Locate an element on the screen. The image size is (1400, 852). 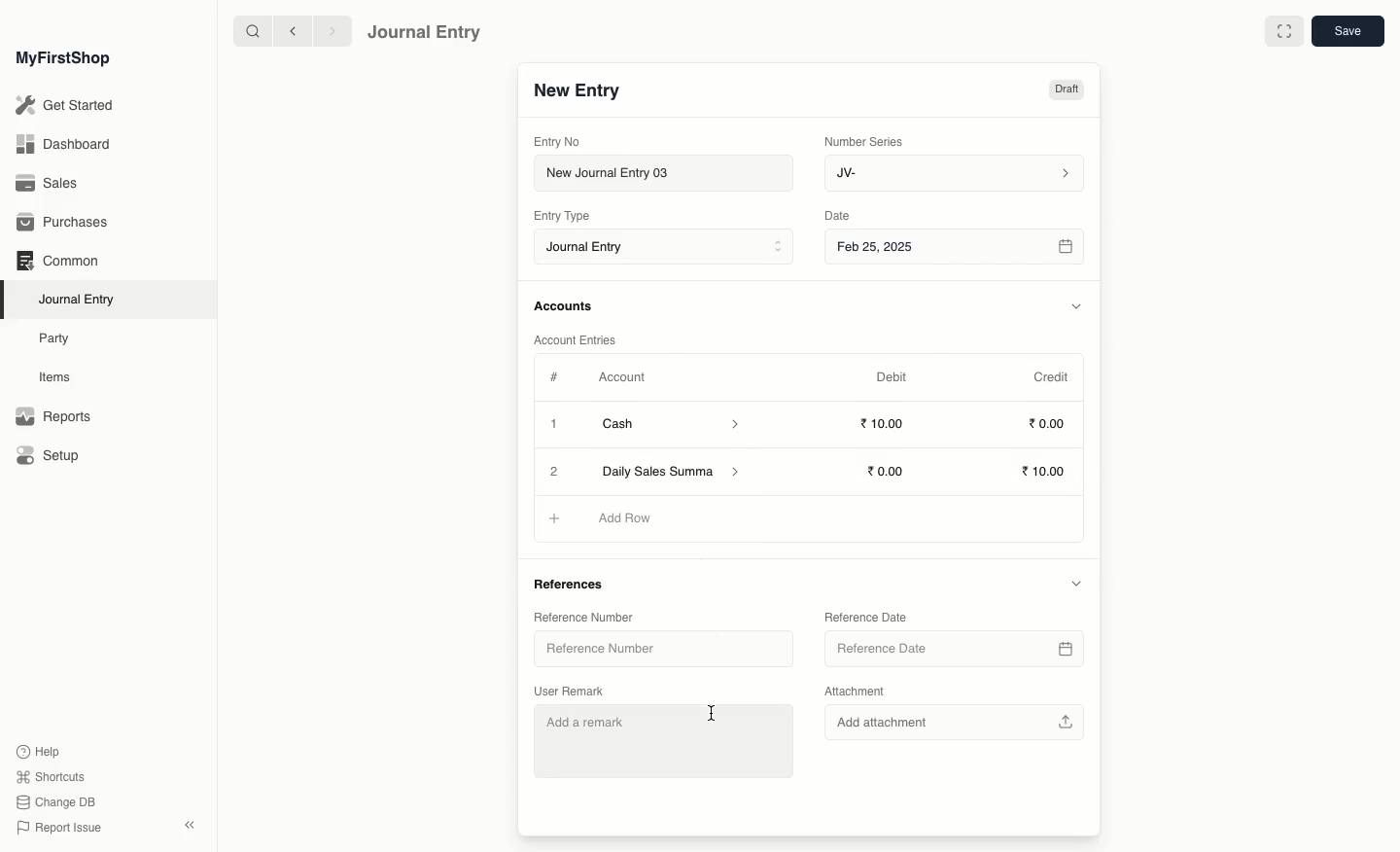
Party is located at coordinates (55, 337).